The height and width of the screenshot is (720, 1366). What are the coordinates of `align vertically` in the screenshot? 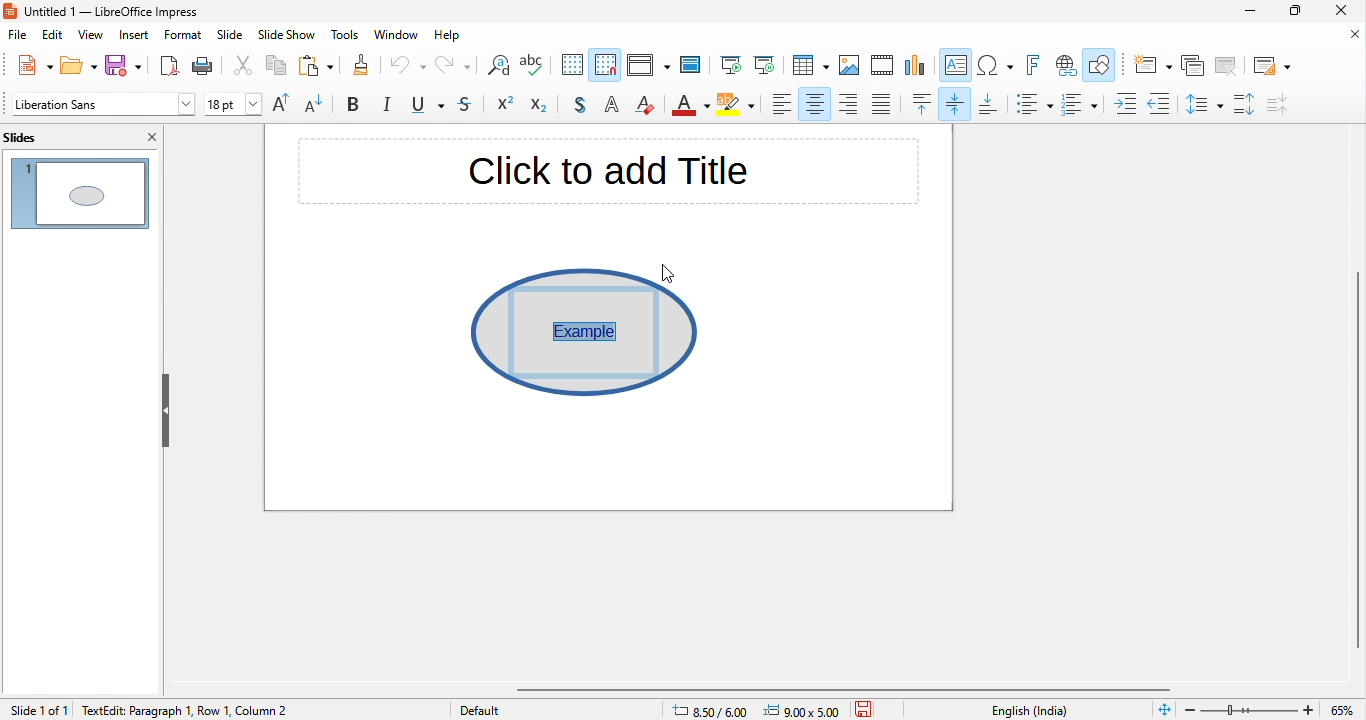 It's located at (957, 103).